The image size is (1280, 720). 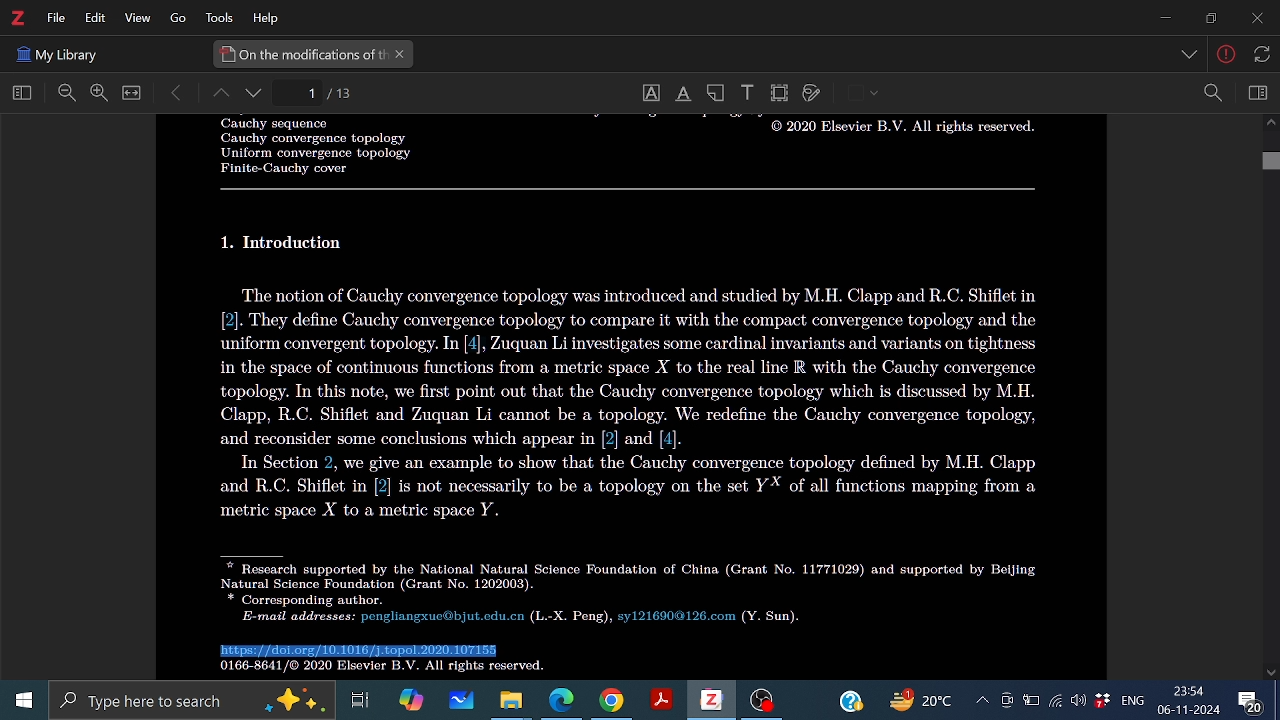 What do you see at coordinates (638, 403) in the screenshot?
I see `` at bounding box center [638, 403].